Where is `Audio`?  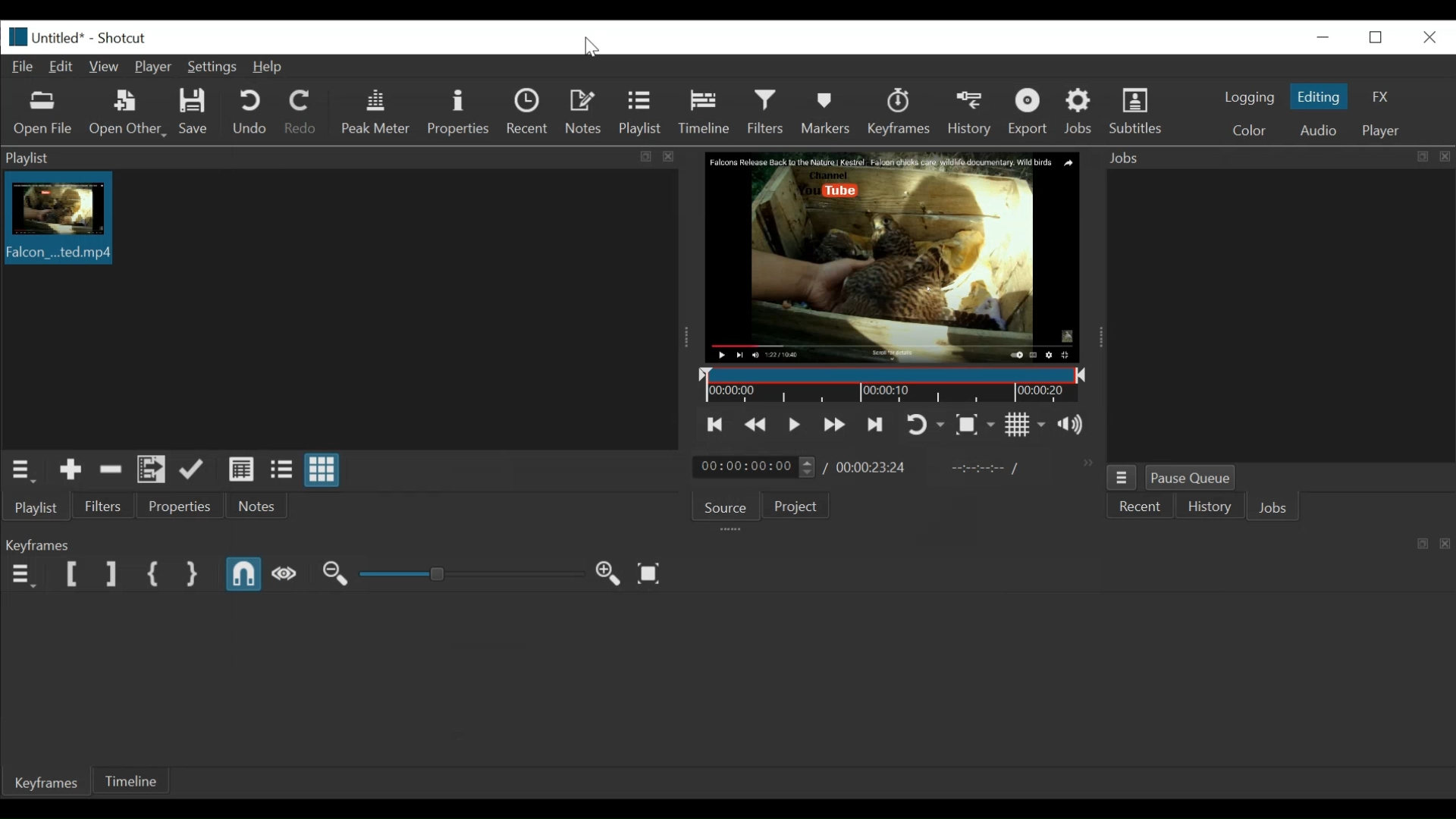
Audio is located at coordinates (1316, 129).